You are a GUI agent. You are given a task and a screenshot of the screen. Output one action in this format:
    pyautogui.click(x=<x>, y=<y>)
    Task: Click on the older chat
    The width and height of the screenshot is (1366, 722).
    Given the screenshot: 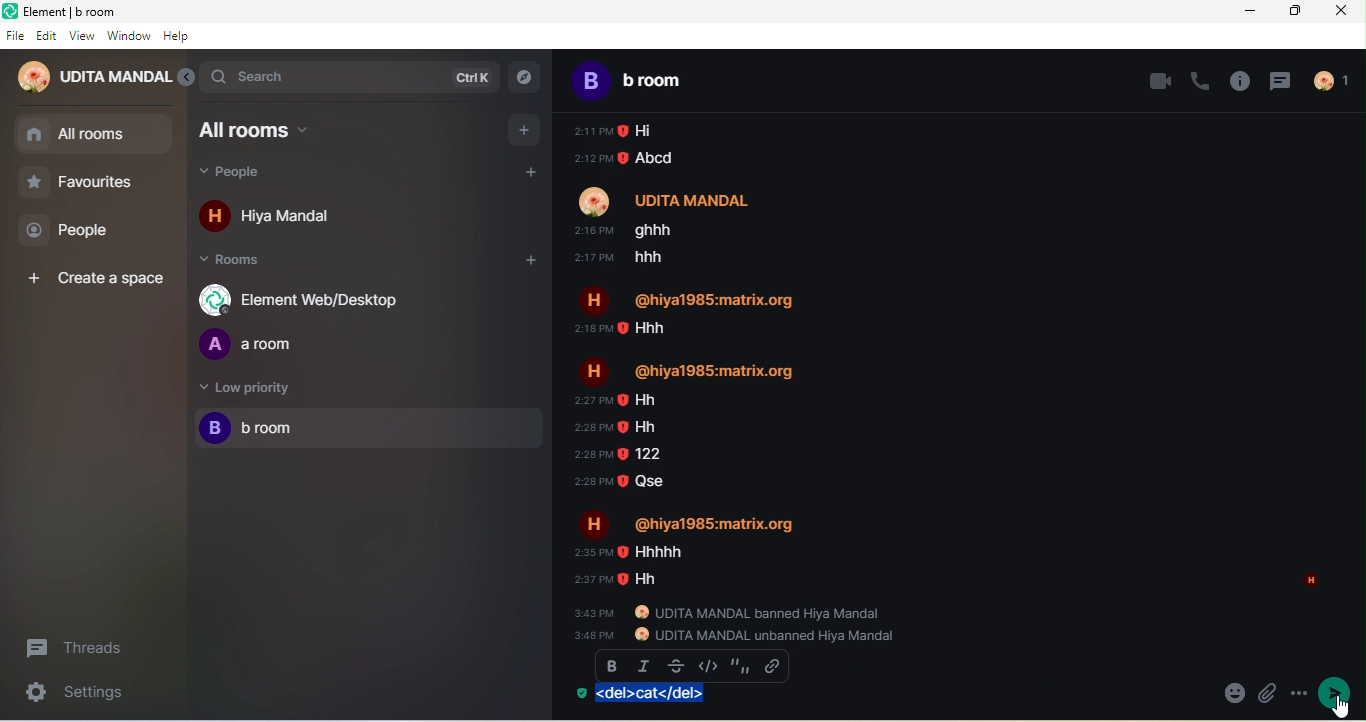 What is the action you would take?
    pyautogui.click(x=952, y=379)
    